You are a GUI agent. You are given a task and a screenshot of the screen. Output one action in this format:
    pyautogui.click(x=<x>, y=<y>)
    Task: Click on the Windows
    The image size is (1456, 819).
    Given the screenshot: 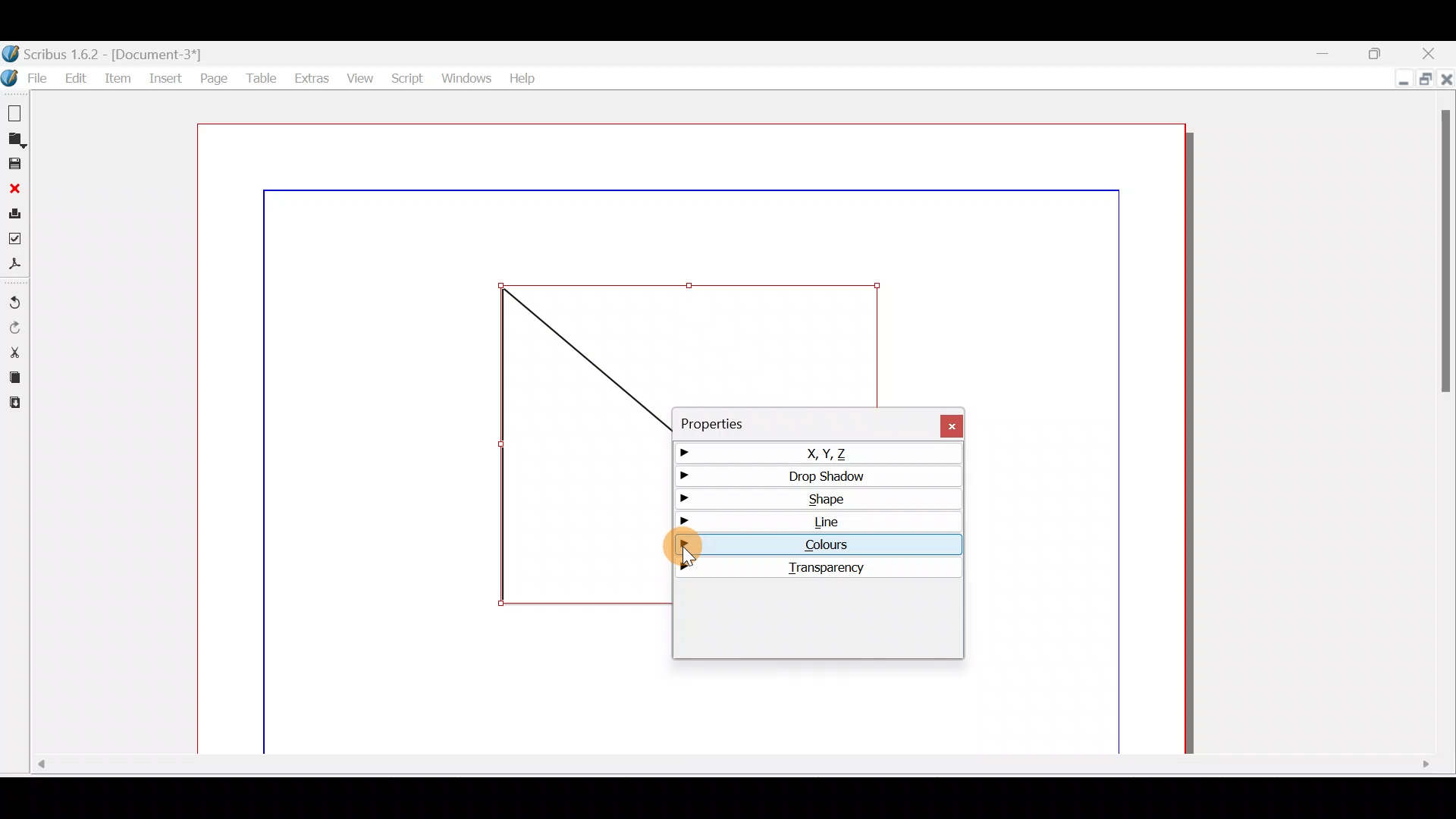 What is the action you would take?
    pyautogui.click(x=464, y=75)
    